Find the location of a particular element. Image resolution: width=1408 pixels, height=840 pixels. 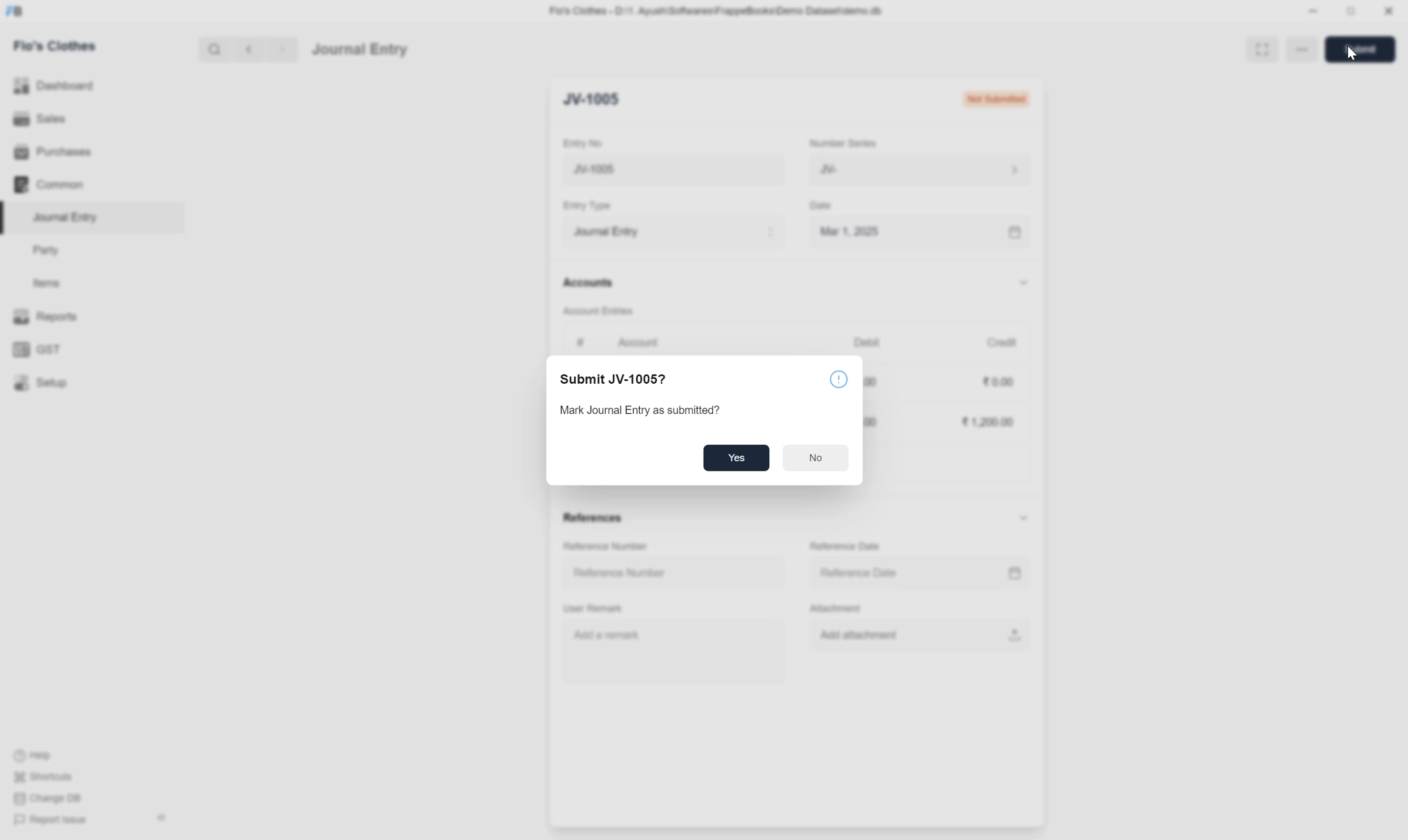

Submit JV-1005? is located at coordinates (617, 377).